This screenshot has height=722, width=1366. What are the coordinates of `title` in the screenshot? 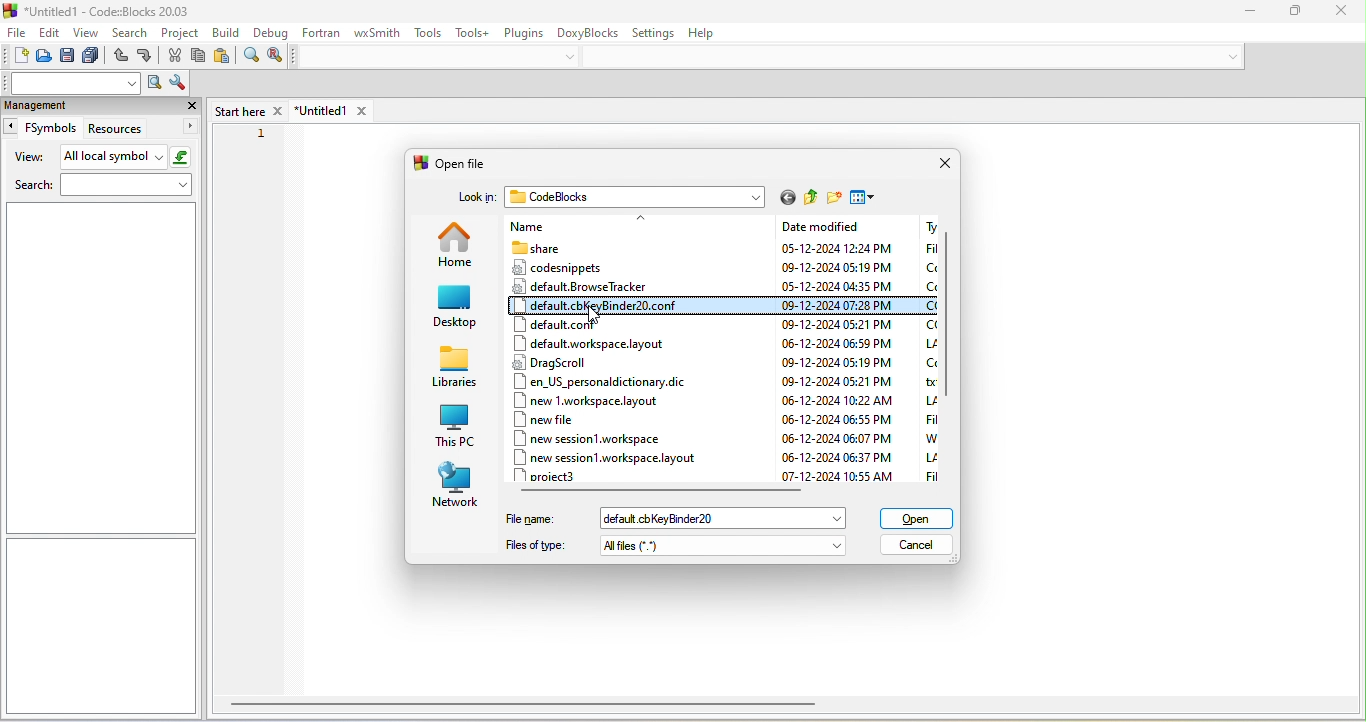 It's located at (102, 10).